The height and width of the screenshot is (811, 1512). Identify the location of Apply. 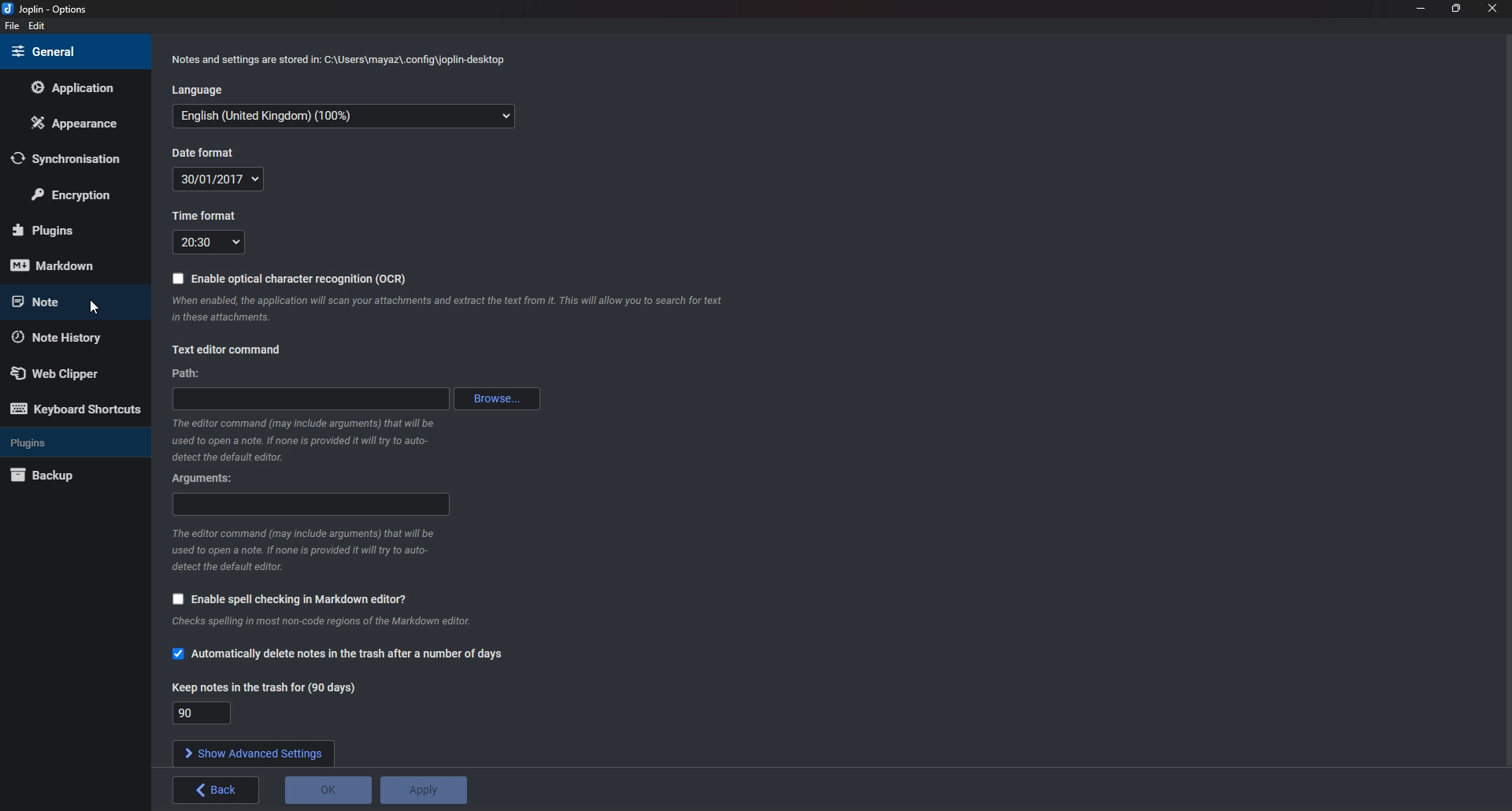
(424, 791).